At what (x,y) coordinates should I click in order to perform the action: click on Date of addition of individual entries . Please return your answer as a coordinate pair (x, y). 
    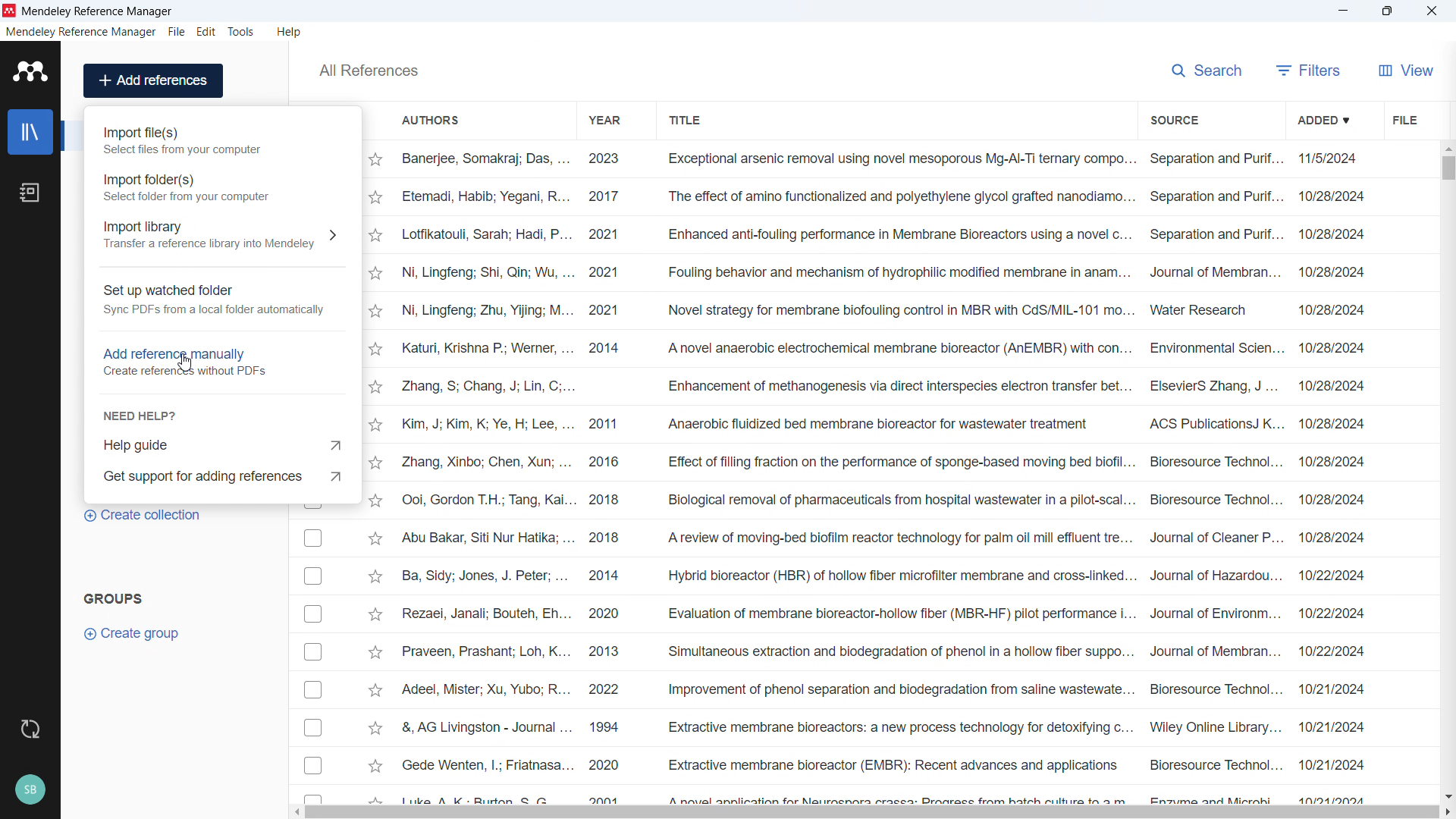
    Looking at the image, I should click on (1332, 477).